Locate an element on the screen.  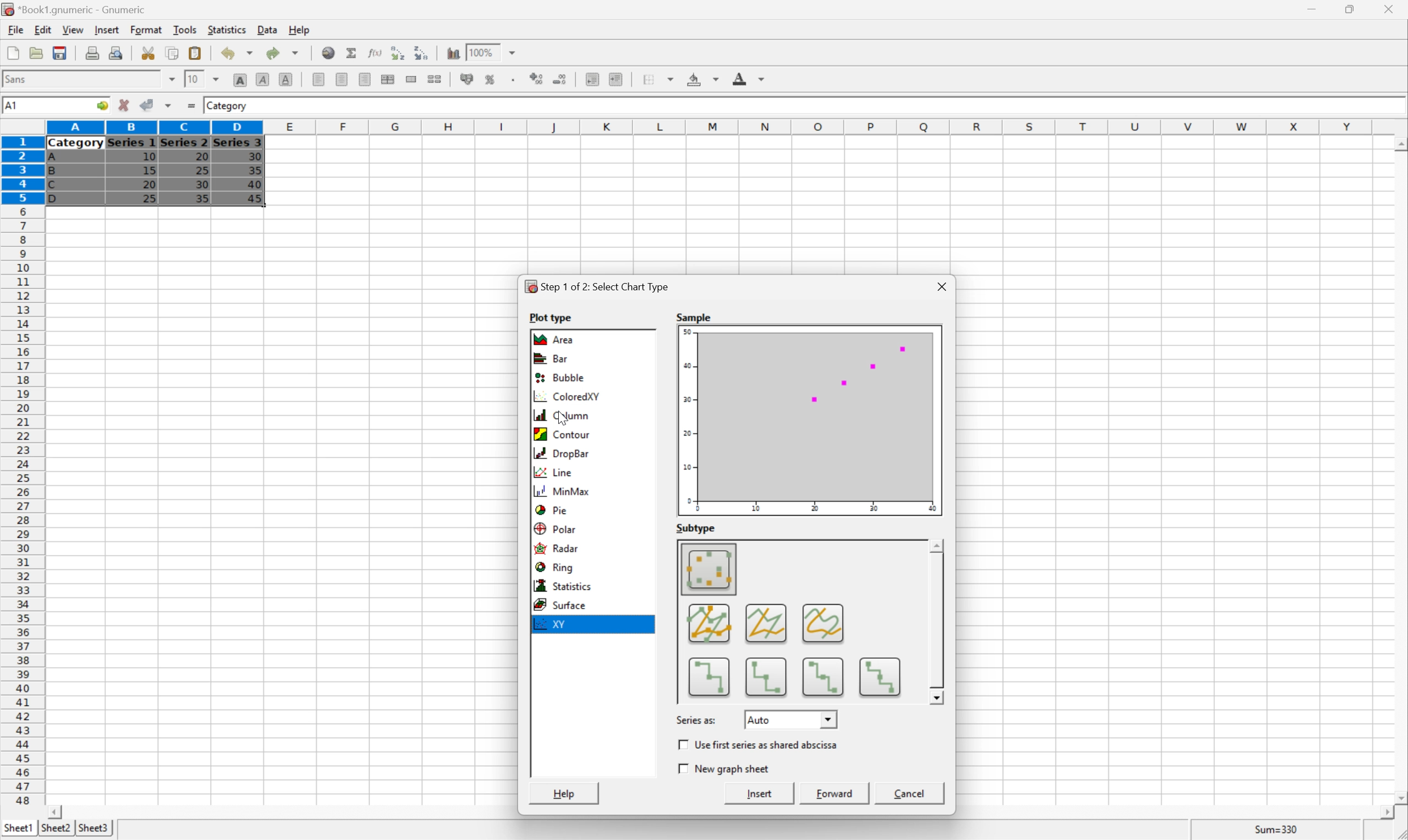
Redo is located at coordinates (281, 52).